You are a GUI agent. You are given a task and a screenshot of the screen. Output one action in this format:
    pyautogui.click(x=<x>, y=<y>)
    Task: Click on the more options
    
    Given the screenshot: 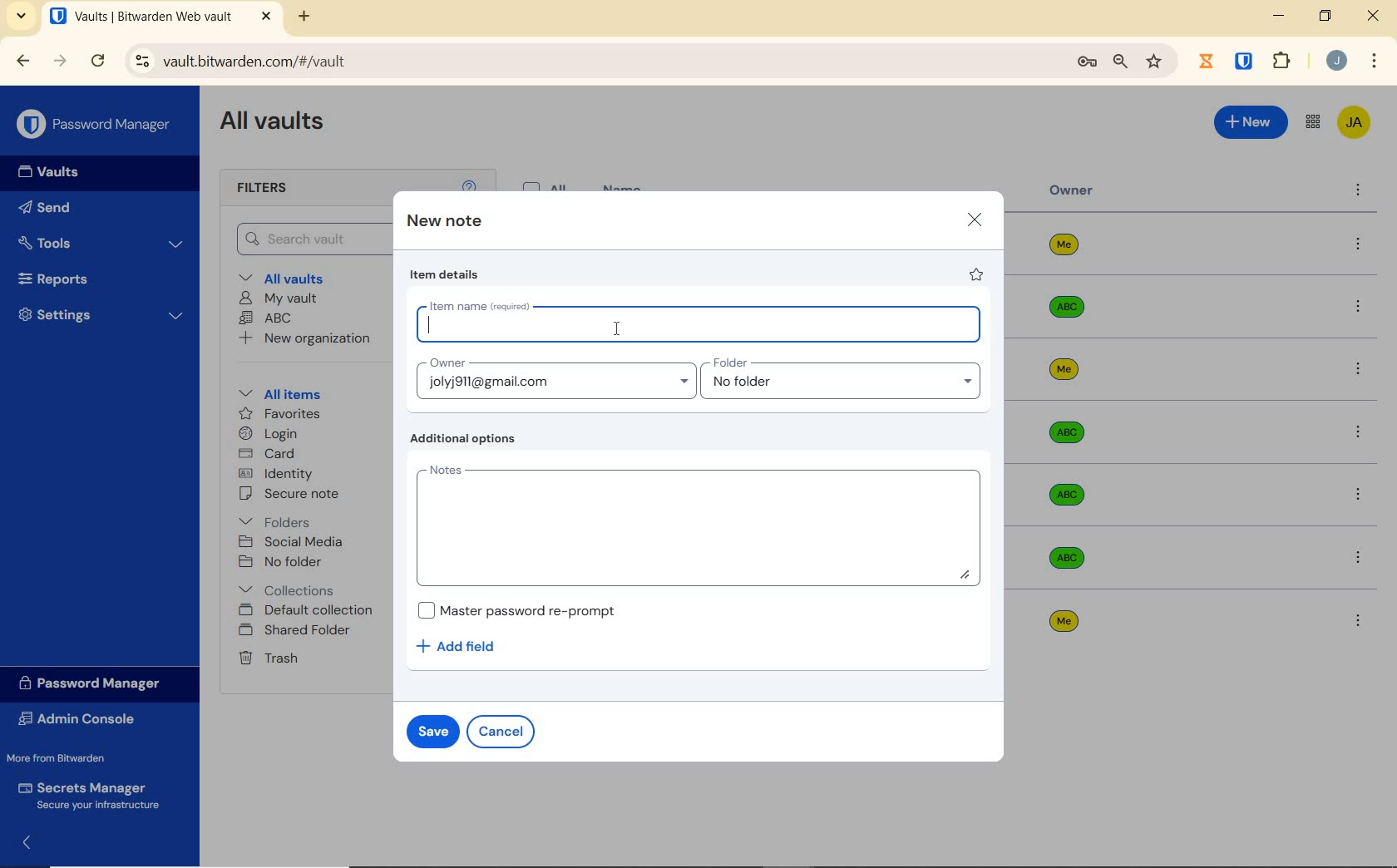 What is the action you would take?
    pyautogui.click(x=1357, y=308)
    